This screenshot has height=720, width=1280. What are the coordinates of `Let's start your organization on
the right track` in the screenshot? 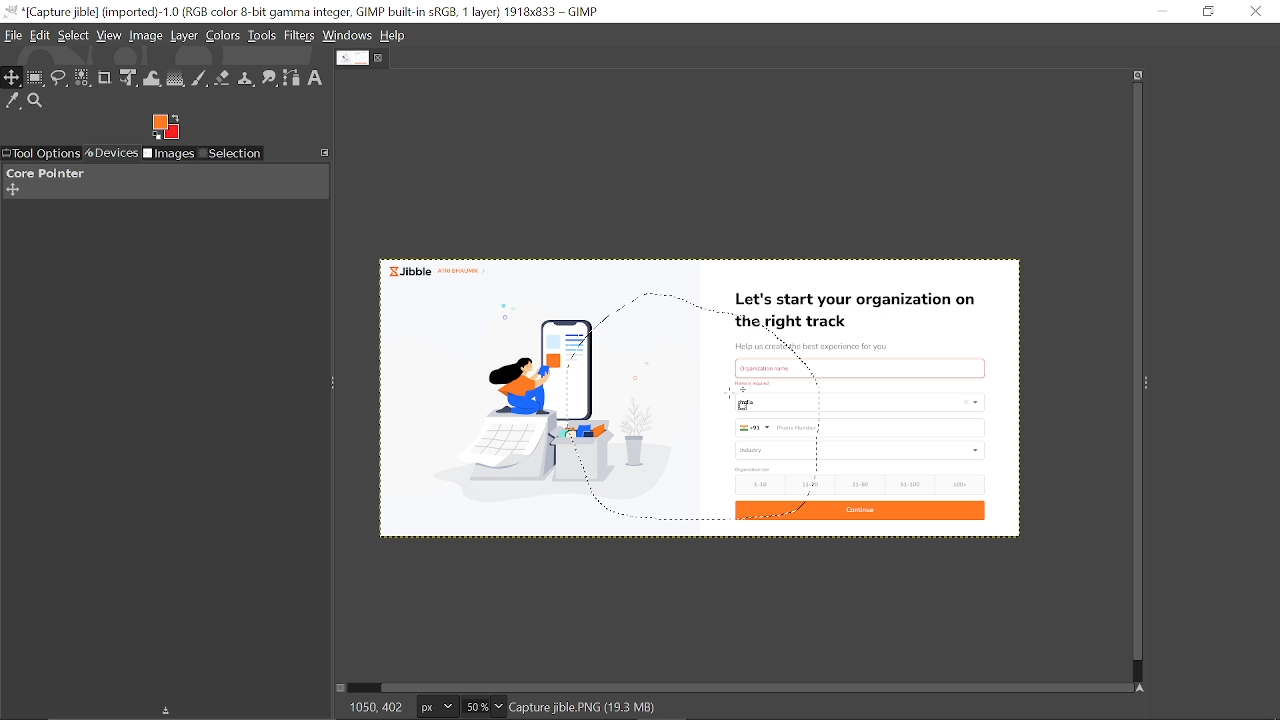 It's located at (859, 312).